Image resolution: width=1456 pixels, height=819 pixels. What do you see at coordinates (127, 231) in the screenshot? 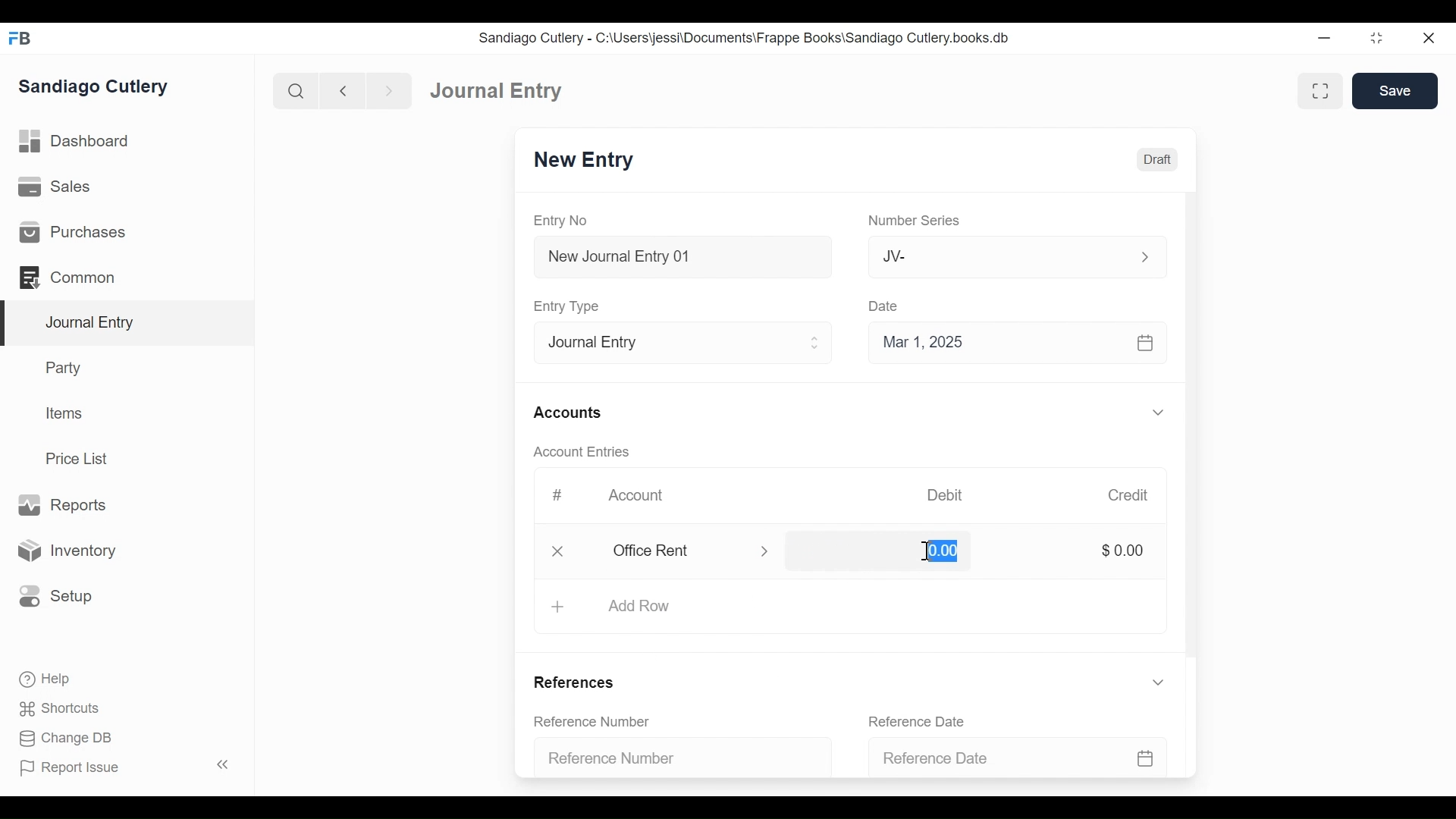
I see `Purchases` at bounding box center [127, 231].